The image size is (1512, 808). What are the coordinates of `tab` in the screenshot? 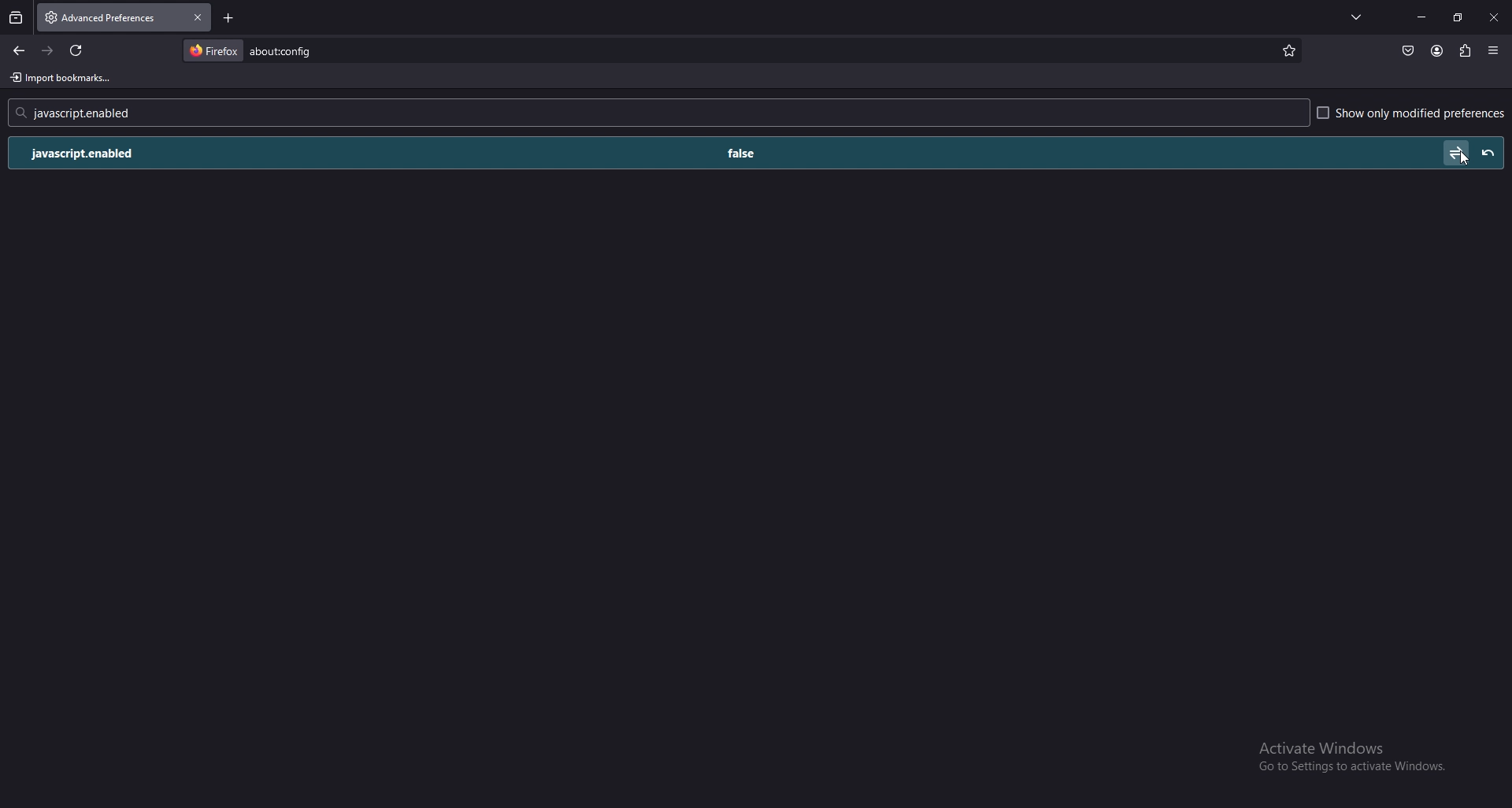 It's located at (93, 16).